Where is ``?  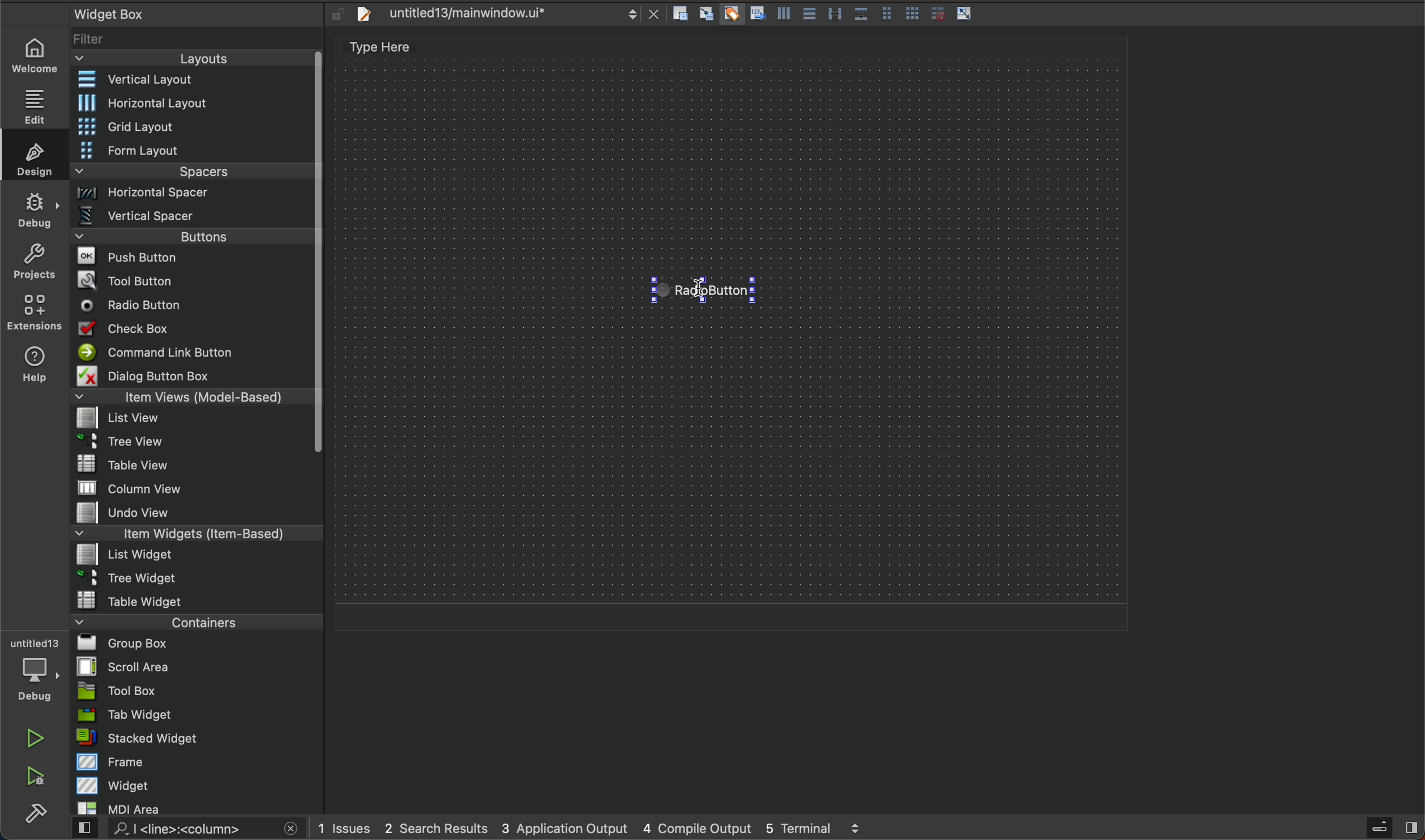
 is located at coordinates (194, 240).